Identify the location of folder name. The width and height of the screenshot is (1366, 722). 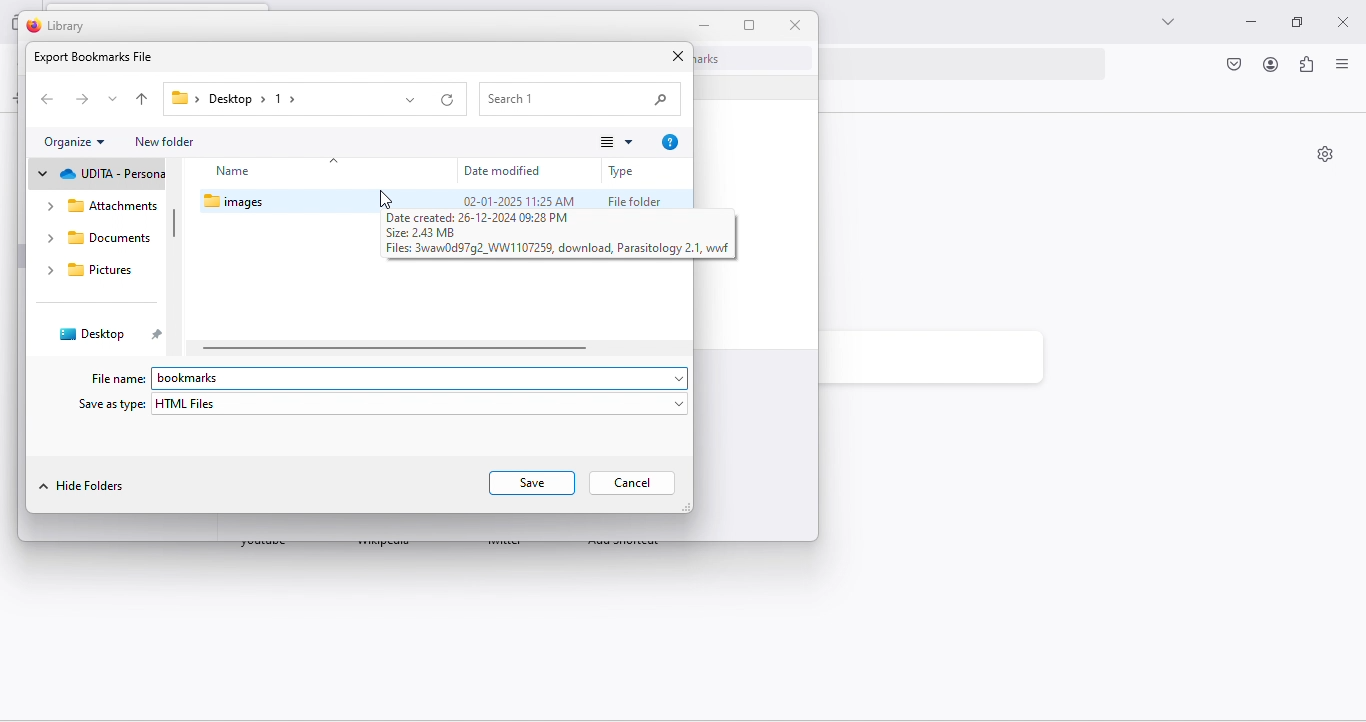
(236, 100).